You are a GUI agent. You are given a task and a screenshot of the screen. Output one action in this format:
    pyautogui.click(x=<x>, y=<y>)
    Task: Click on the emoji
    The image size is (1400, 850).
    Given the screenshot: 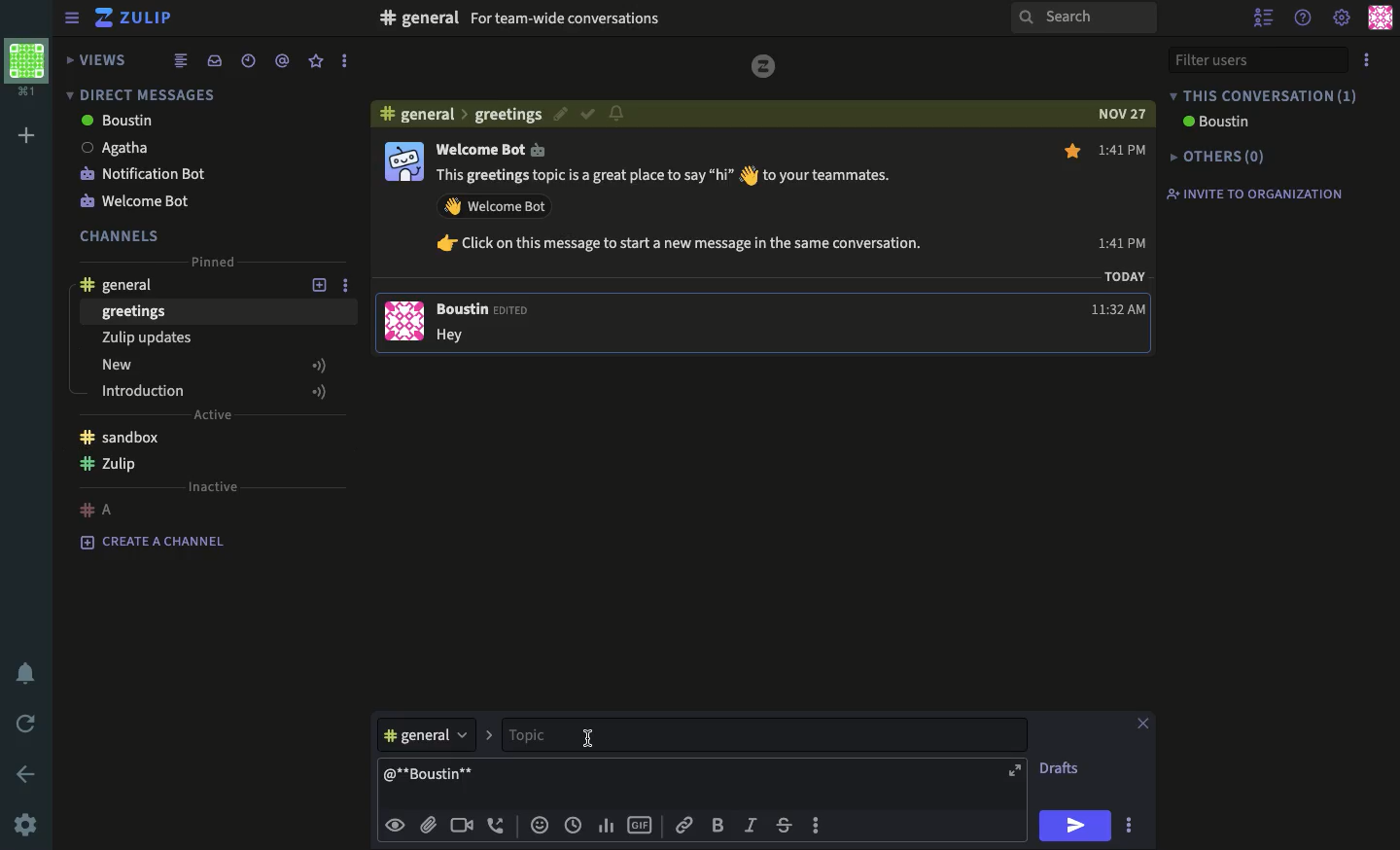 What is the action you would take?
    pyautogui.click(x=540, y=825)
    